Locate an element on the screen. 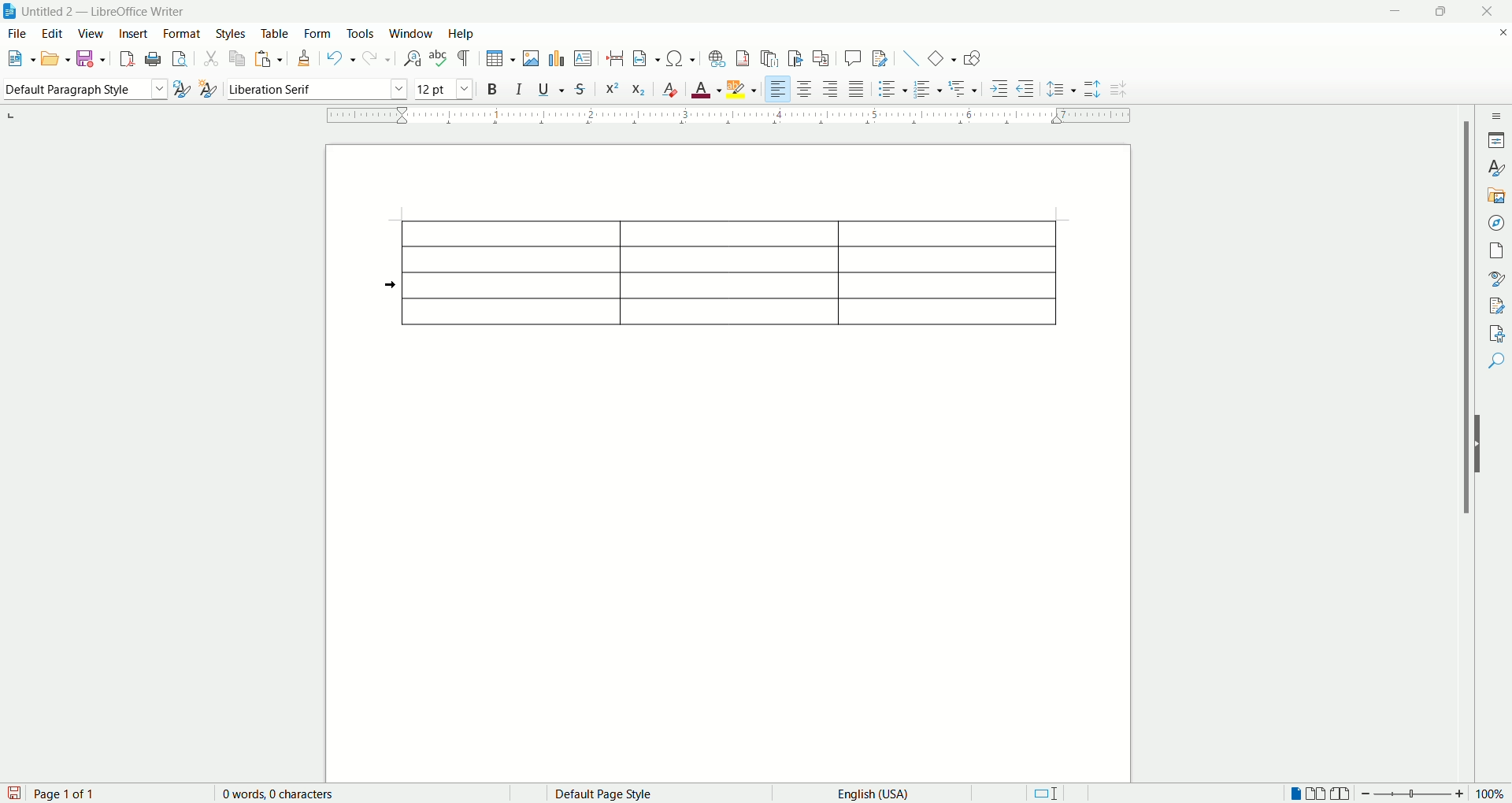  bold is located at coordinates (492, 88).